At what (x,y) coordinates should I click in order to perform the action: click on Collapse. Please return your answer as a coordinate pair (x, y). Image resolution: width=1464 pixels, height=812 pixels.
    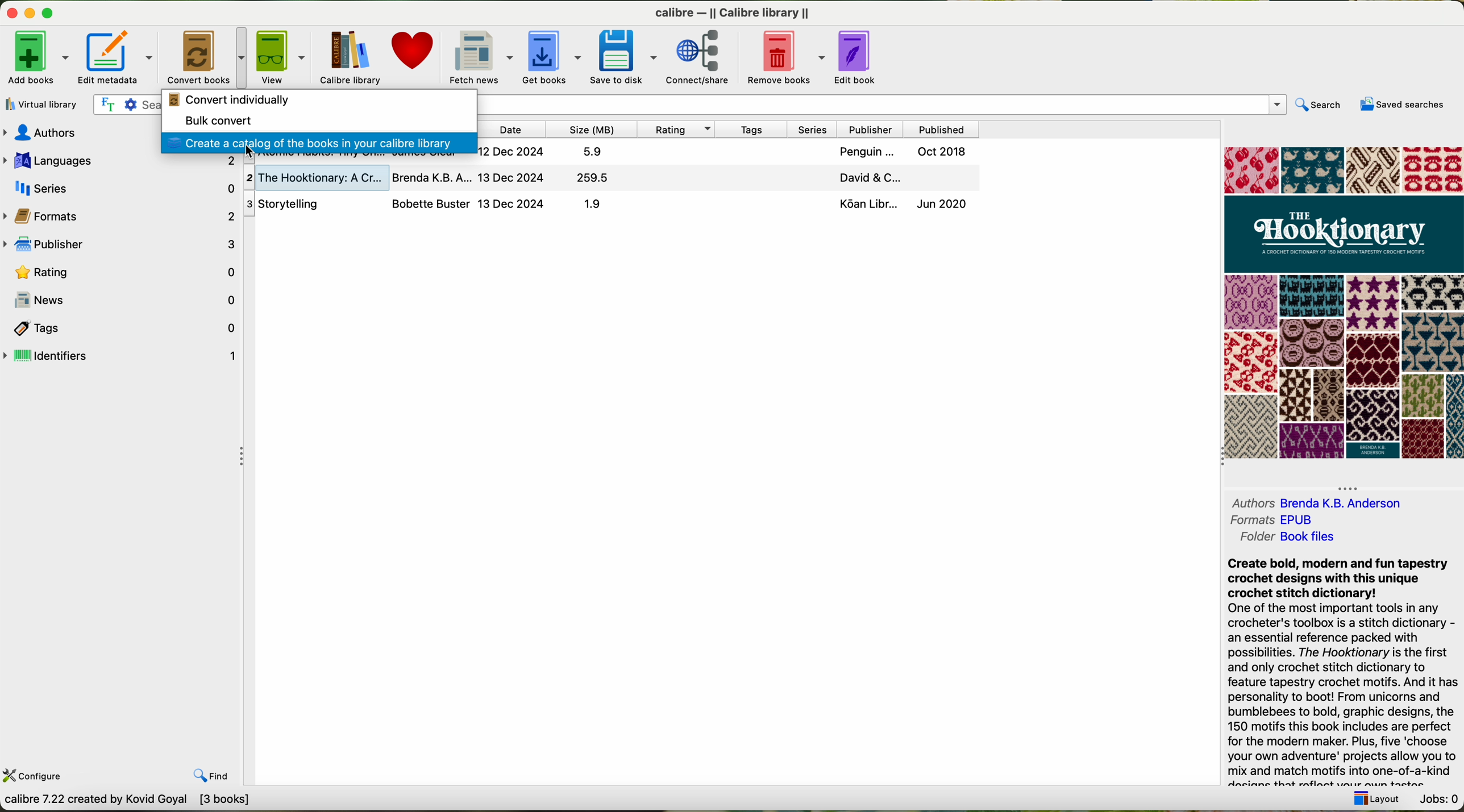
    Looking at the image, I should click on (1350, 488).